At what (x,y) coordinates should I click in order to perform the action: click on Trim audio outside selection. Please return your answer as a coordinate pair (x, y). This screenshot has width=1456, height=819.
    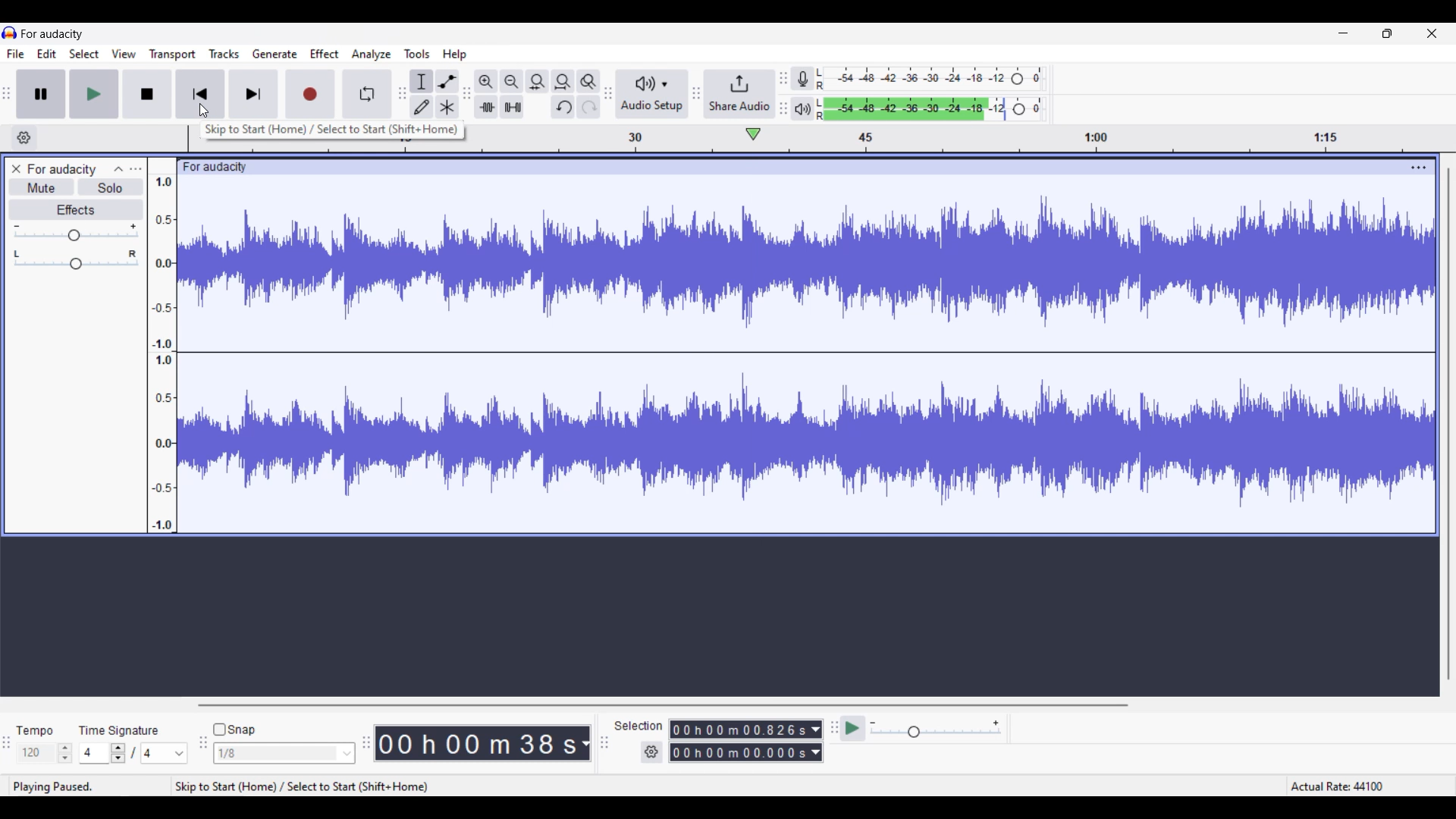
    Looking at the image, I should click on (486, 107).